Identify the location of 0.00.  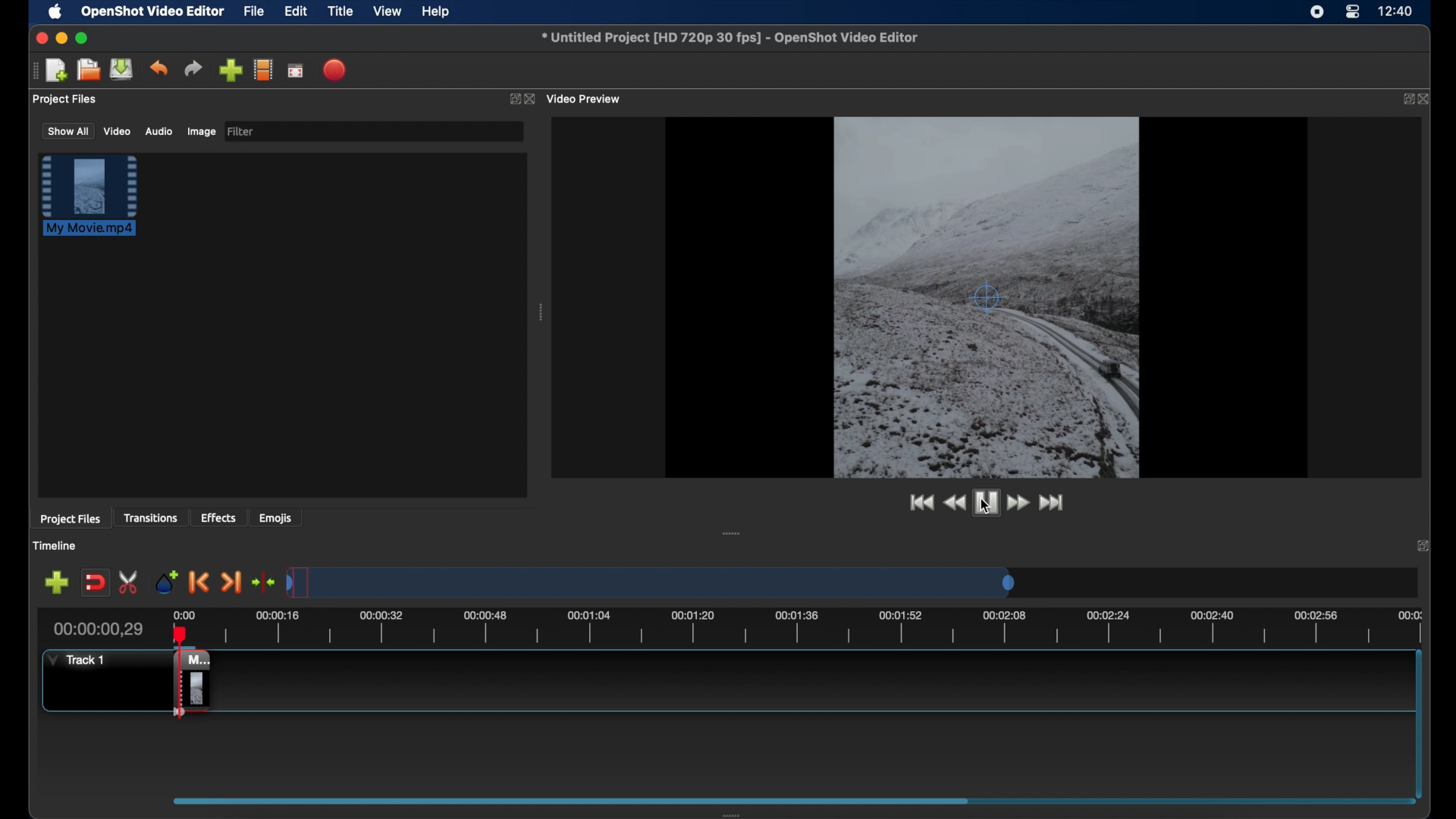
(182, 613).